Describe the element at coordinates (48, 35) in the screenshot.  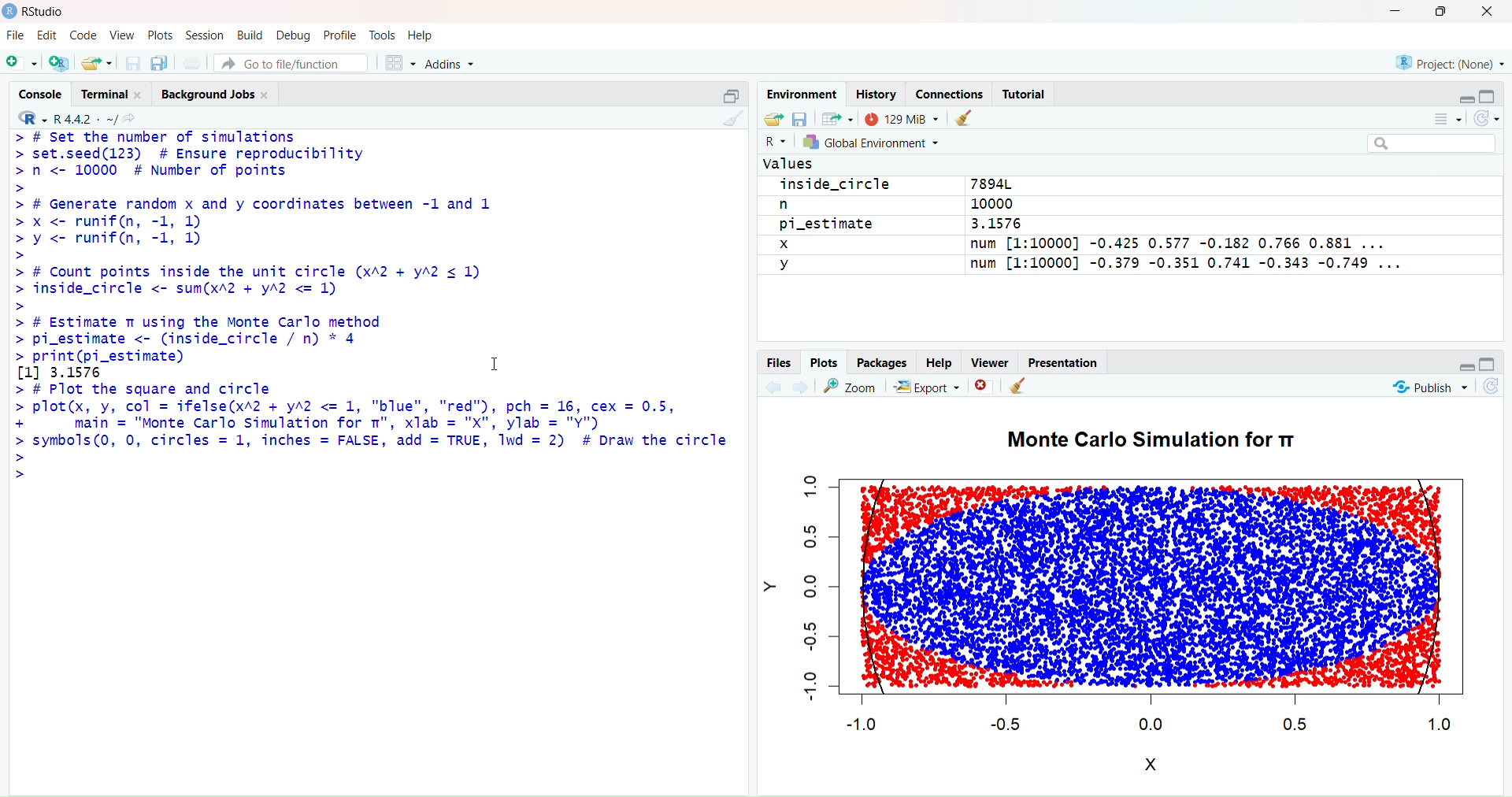
I see `Edit` at that location.